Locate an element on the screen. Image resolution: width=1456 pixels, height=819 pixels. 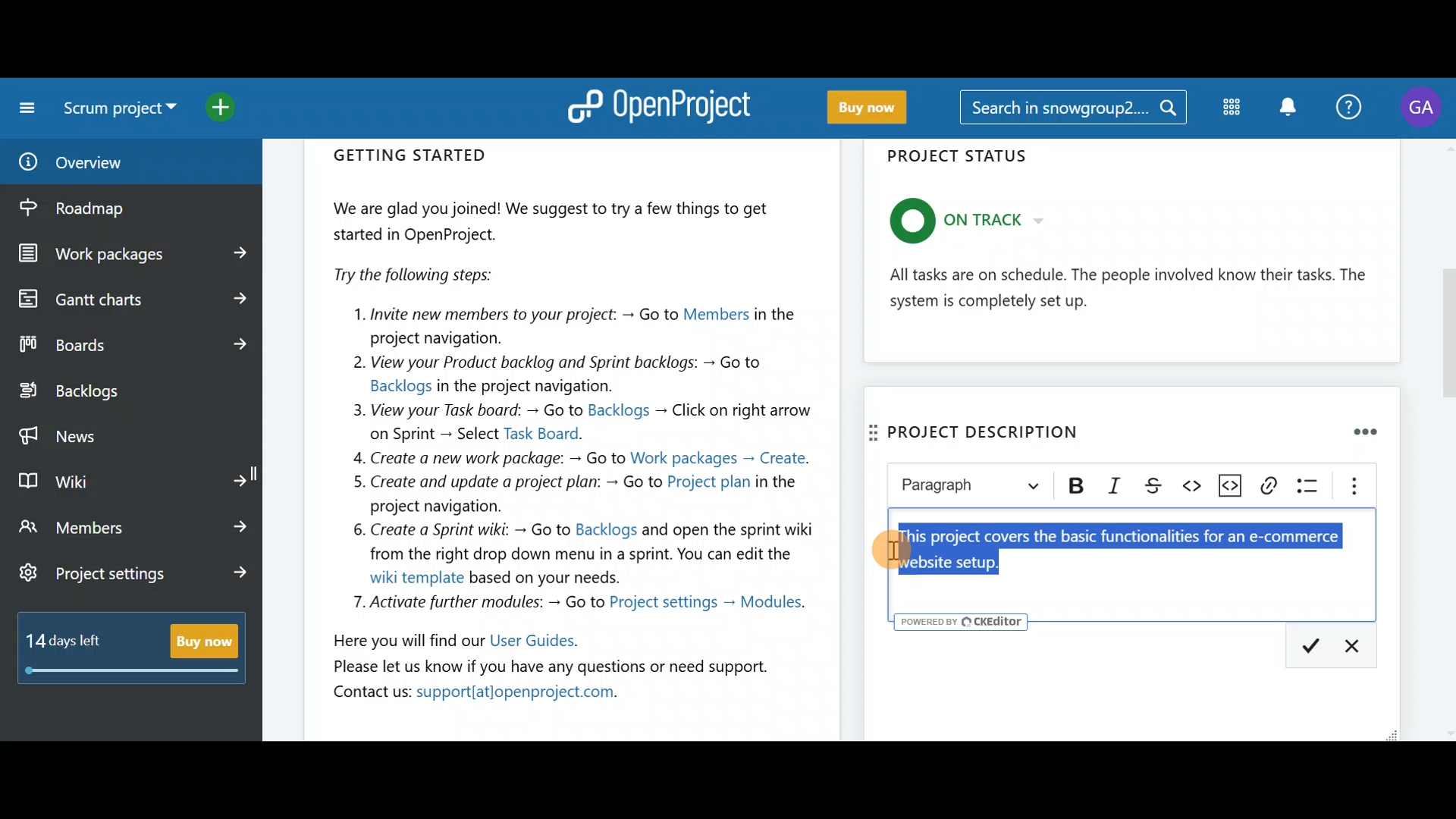
Description: Save is located at coordinates (1305, 644).